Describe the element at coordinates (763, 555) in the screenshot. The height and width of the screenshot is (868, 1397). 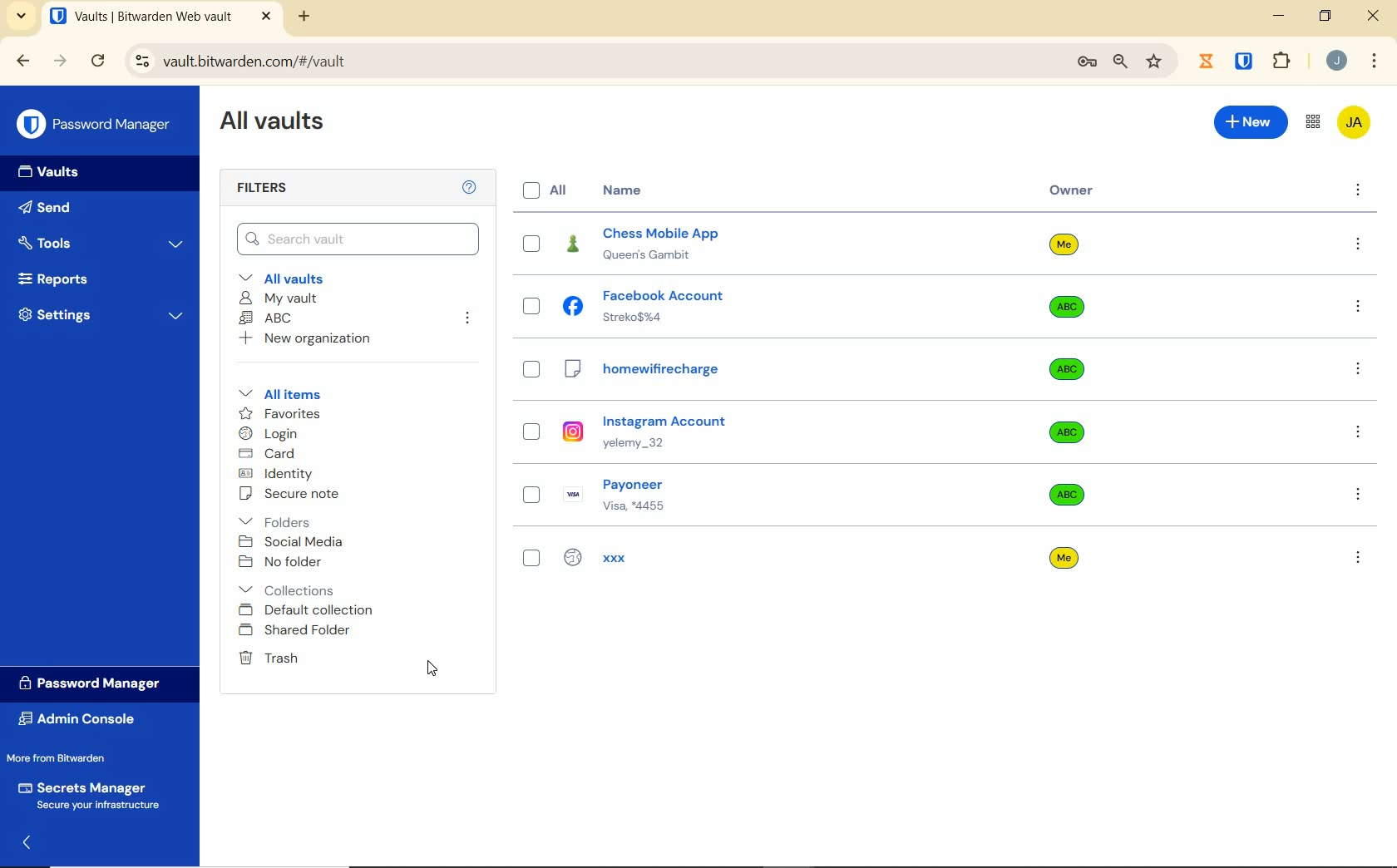
I see `xxx` at that location.